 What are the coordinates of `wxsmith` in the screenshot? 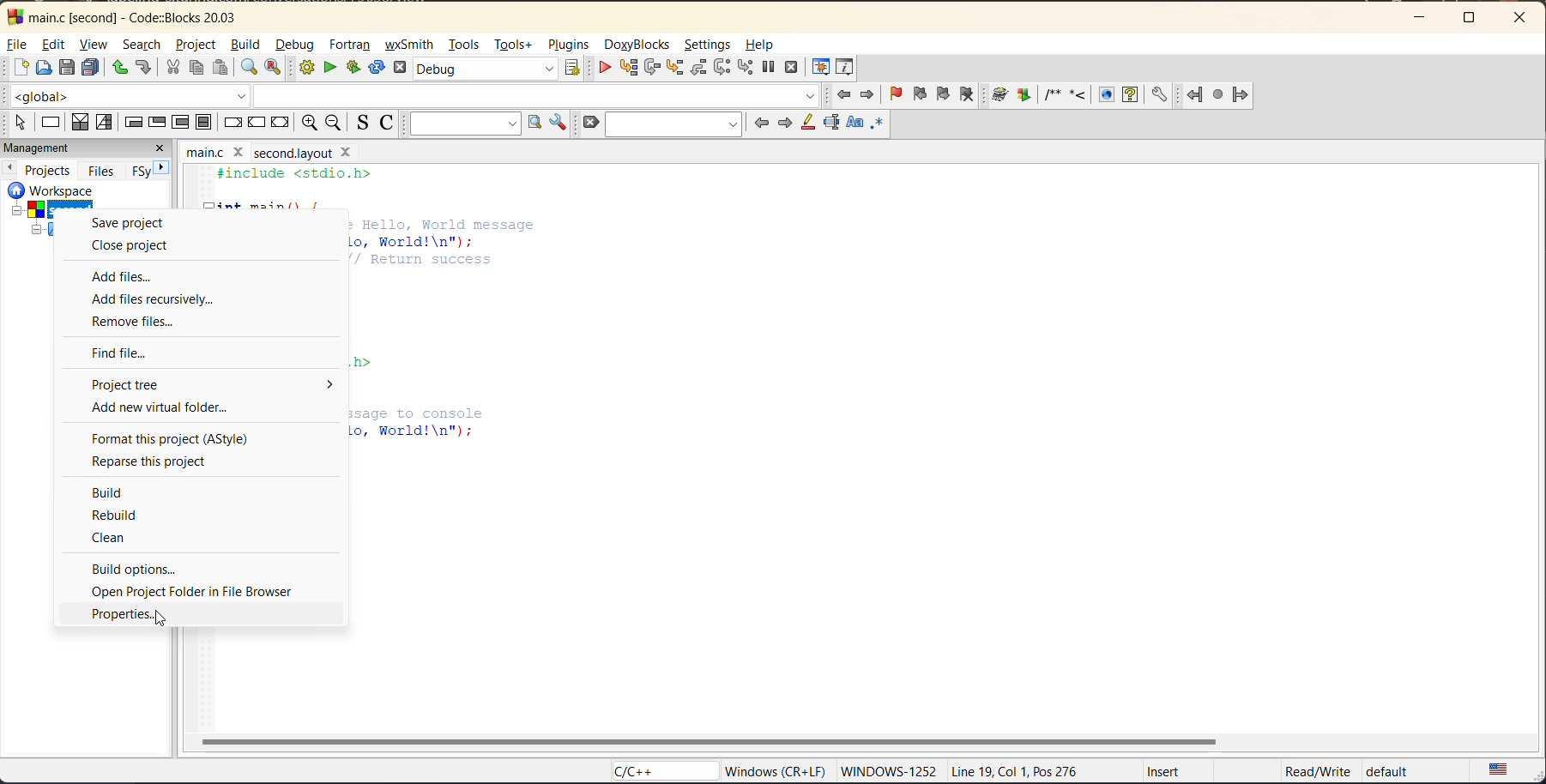 It's located at (413, 45).